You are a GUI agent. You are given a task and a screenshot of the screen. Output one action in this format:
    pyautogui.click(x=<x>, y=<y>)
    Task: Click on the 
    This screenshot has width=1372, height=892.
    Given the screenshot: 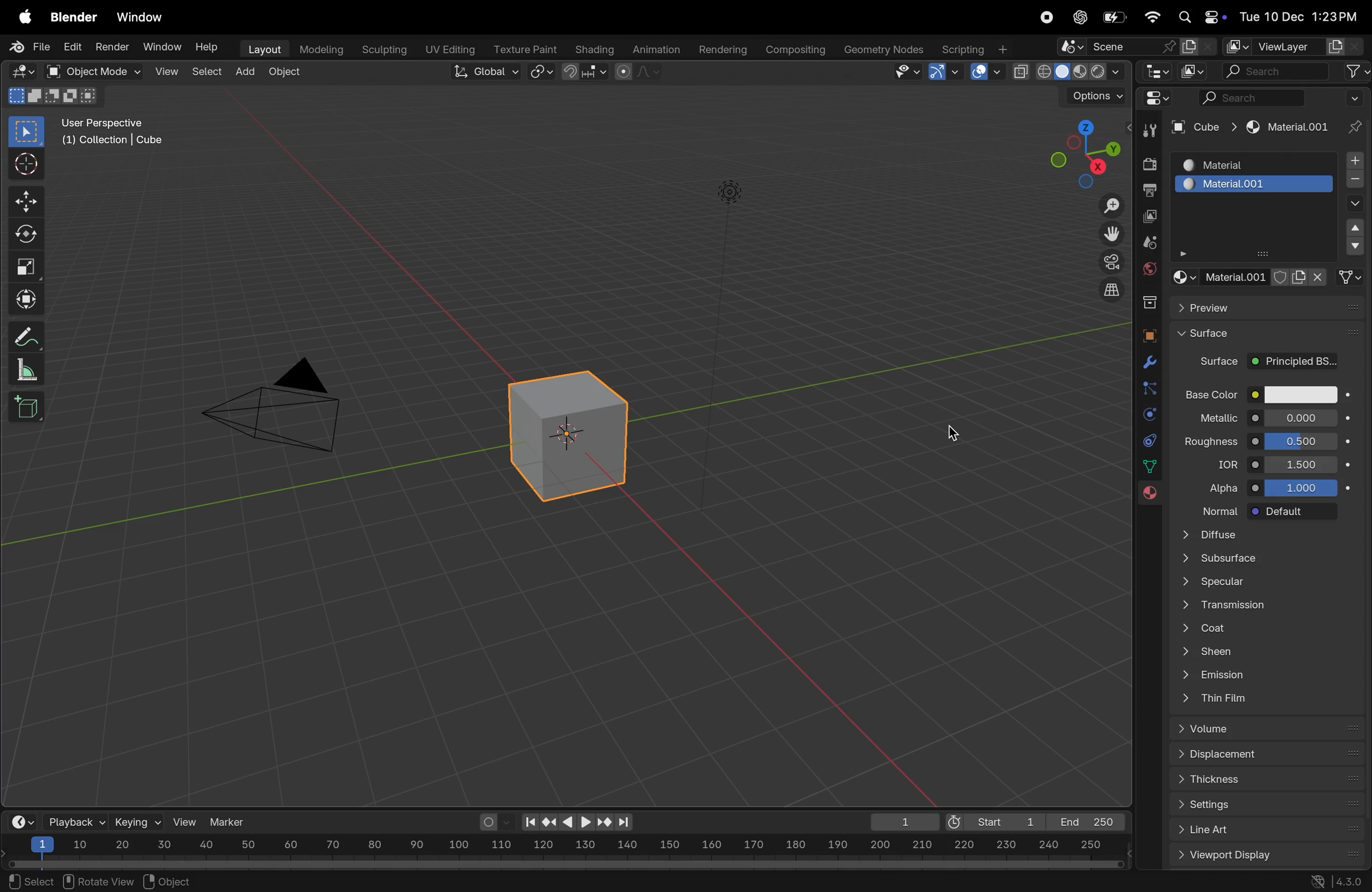 What is the action you would take?
    pyautogui.click(x=1151, y=467)
    